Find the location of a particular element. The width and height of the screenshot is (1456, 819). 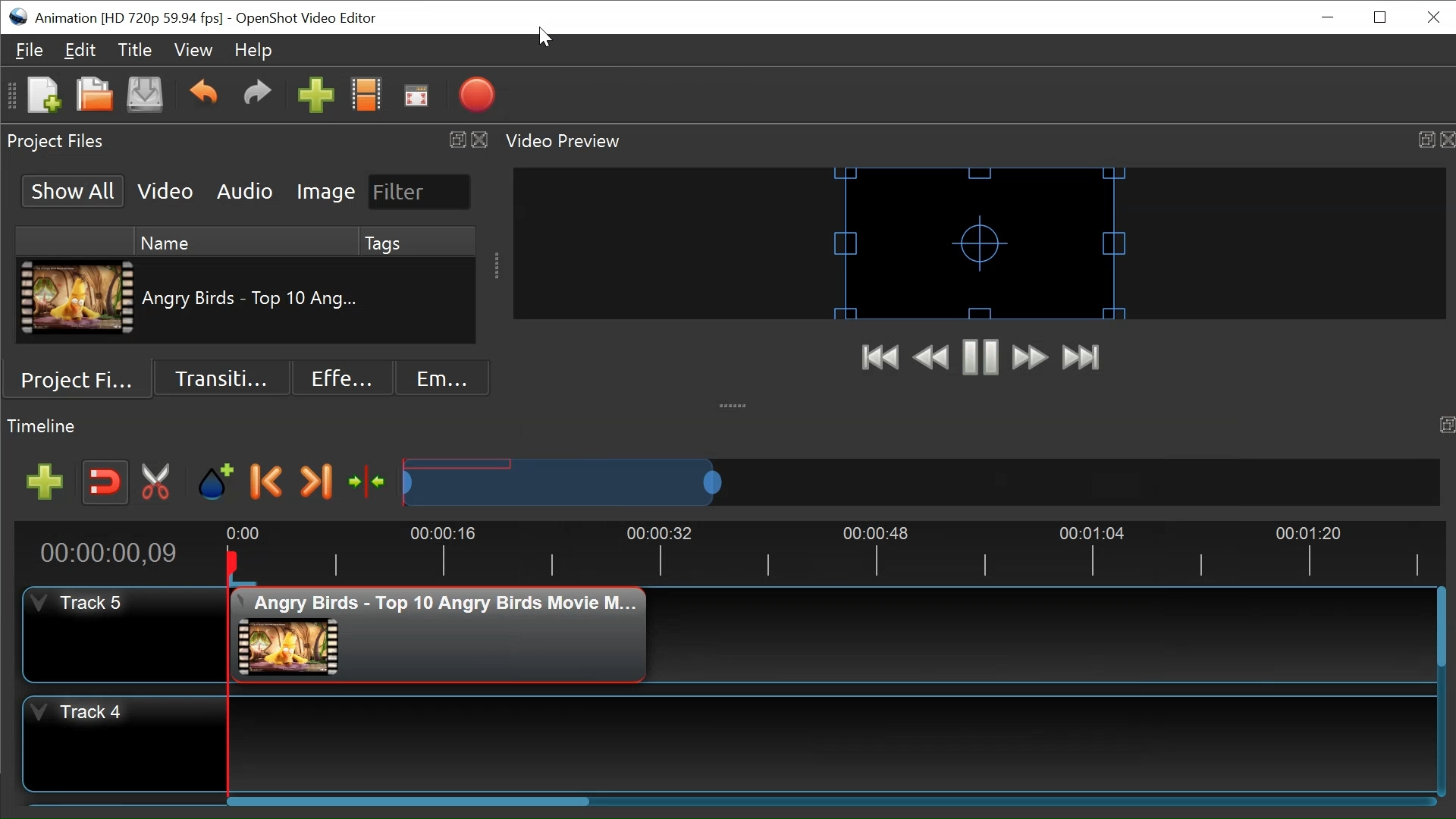

Snap is located at coordinates (104, 482).